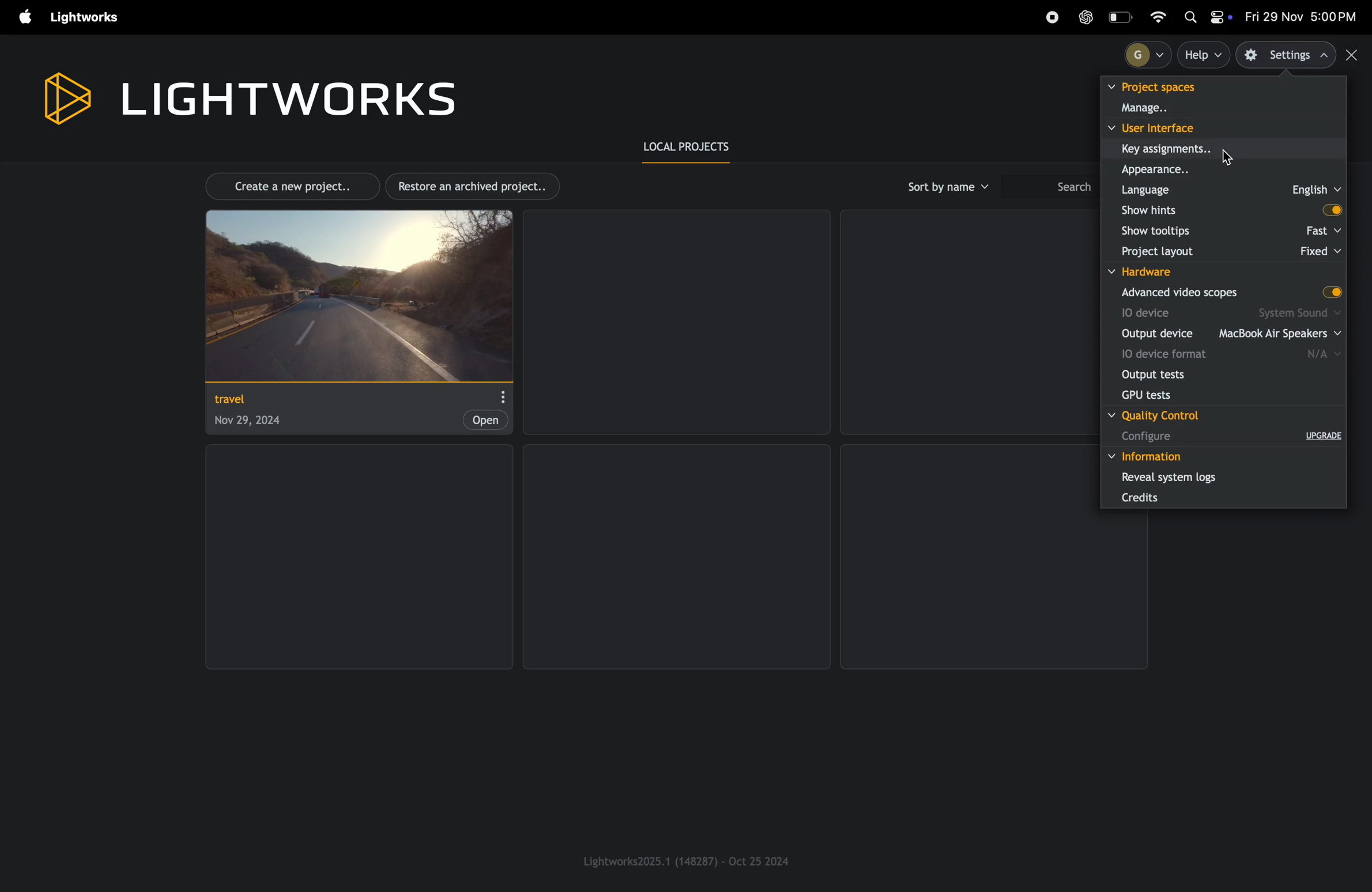  What do you see at coordinates (688, 860) in the screenshot?
I see `light works version` at bounding box center [688, 860].